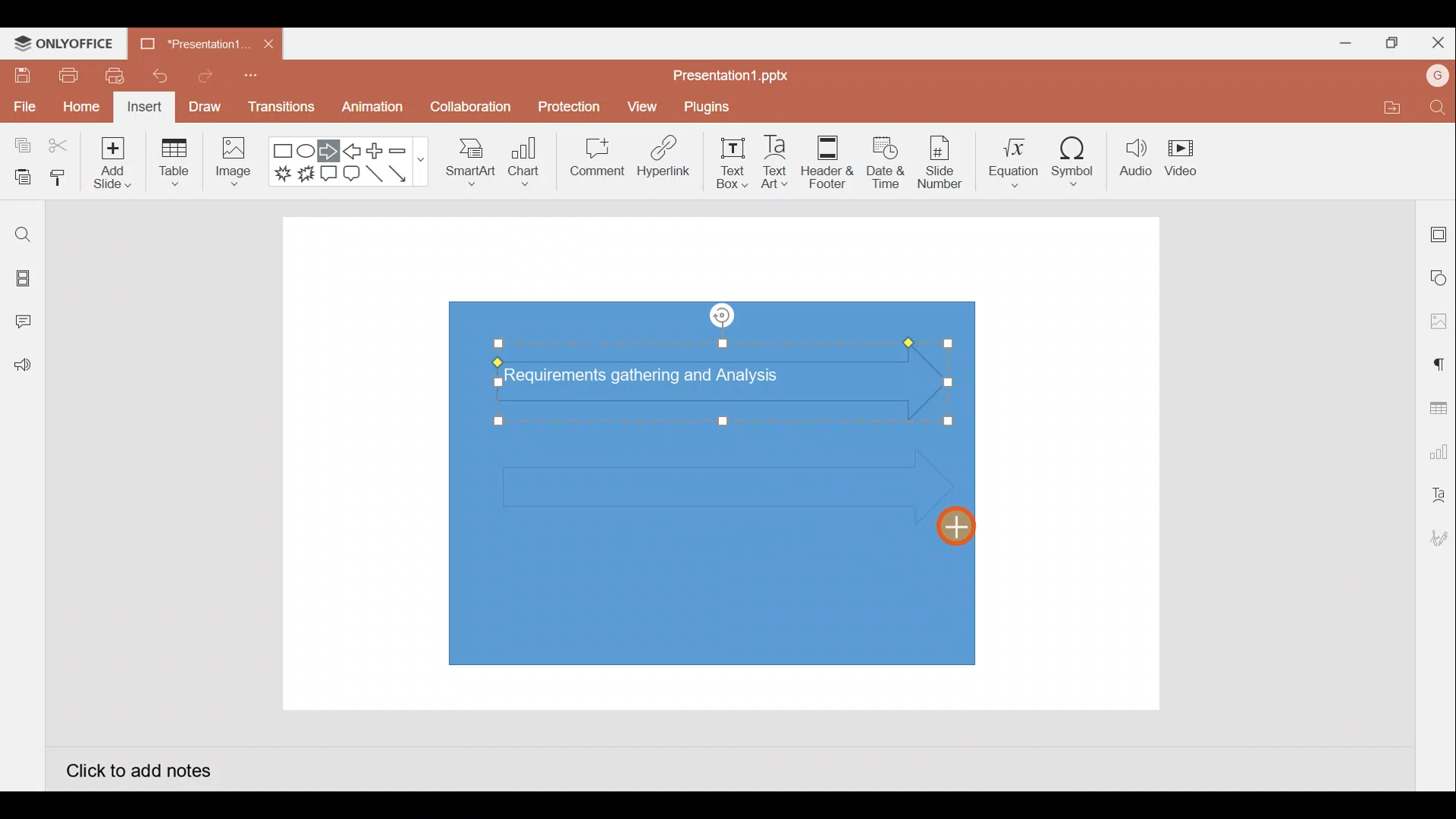 The image size is (1456, 819). Describe the element at coordinates (1015, 157) in the screenshot. I see `Equation` at that location.